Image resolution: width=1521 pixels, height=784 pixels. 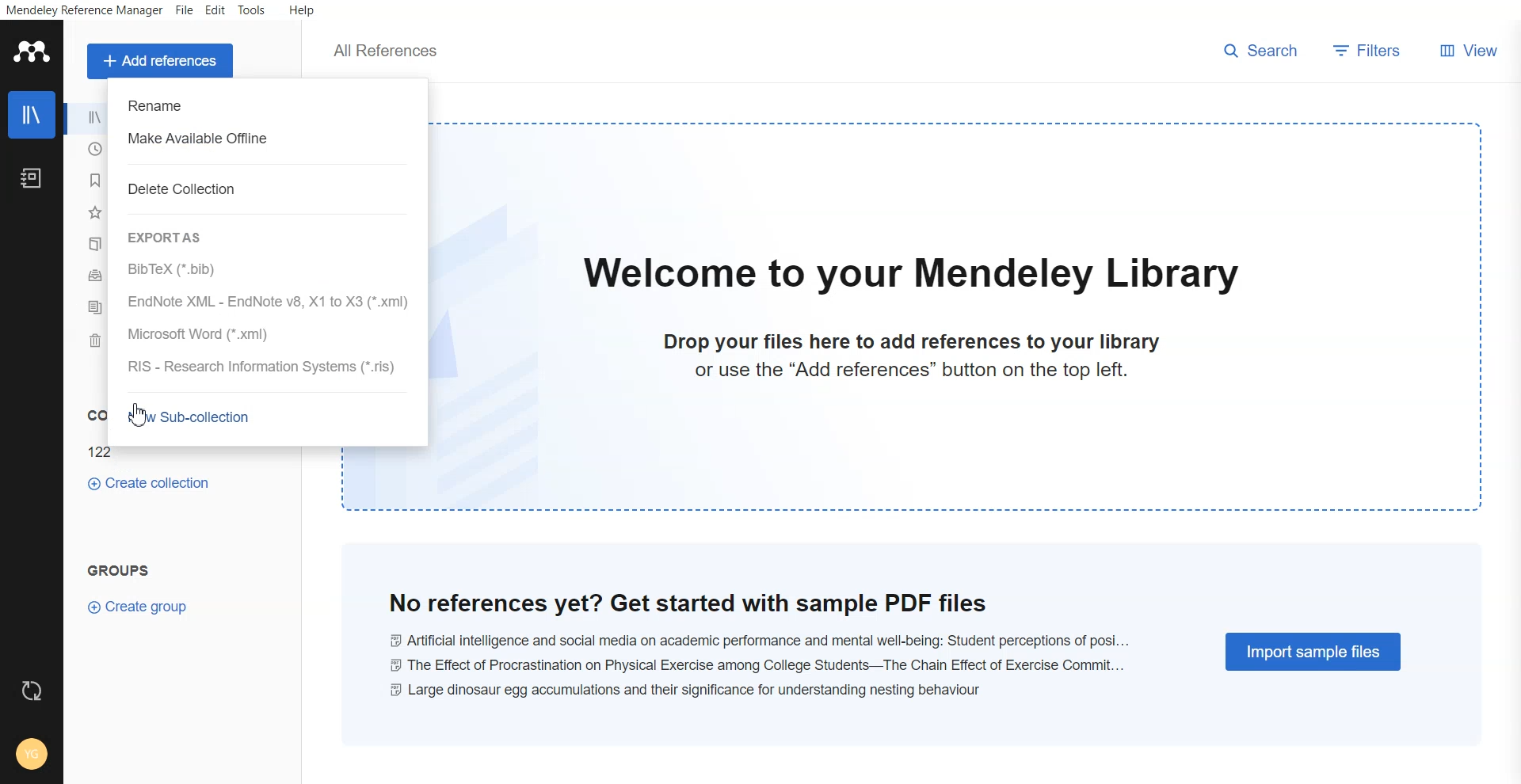 What do you see at coordinates (32, 115) in the screenshot?
I see `Library` at bounding box center [32, 115].